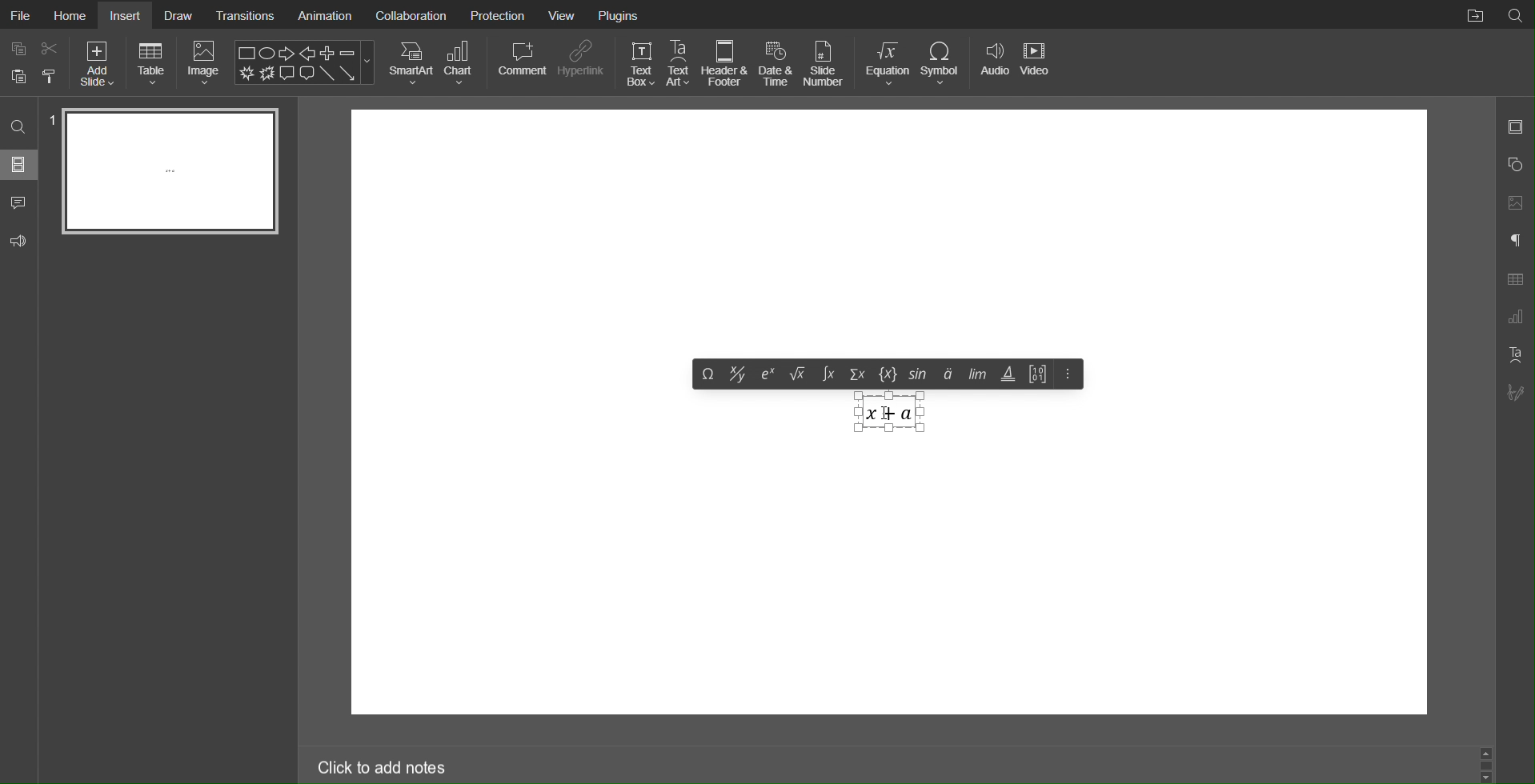 This screenshot has width=1535, height=784. I want to click on Equation, so click(888, 63).